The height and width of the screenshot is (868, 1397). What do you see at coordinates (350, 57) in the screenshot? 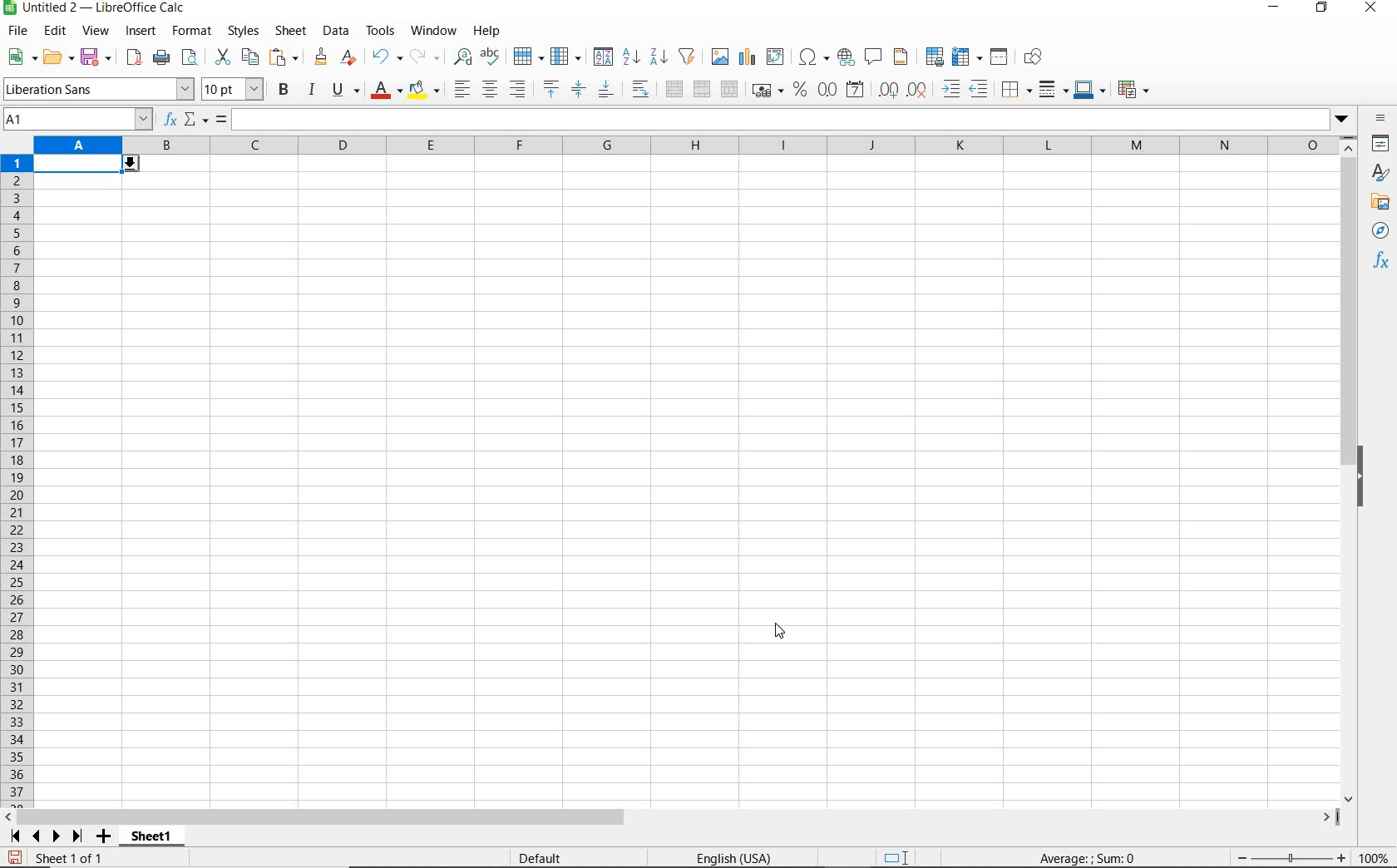
I see `clear direct formatting` at bounding box center [350, 57].